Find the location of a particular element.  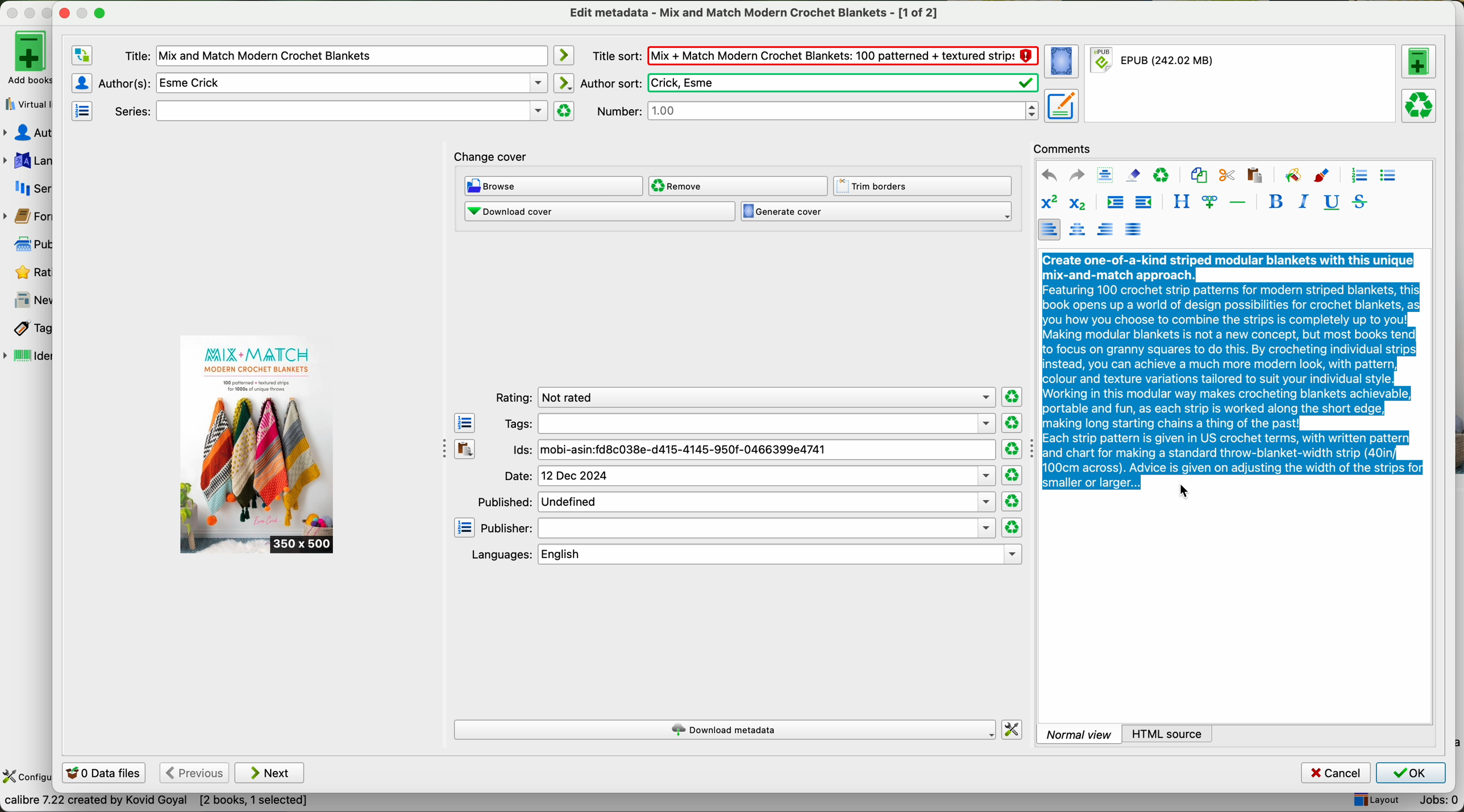

clear rating is located at coordinates (1013, 397).